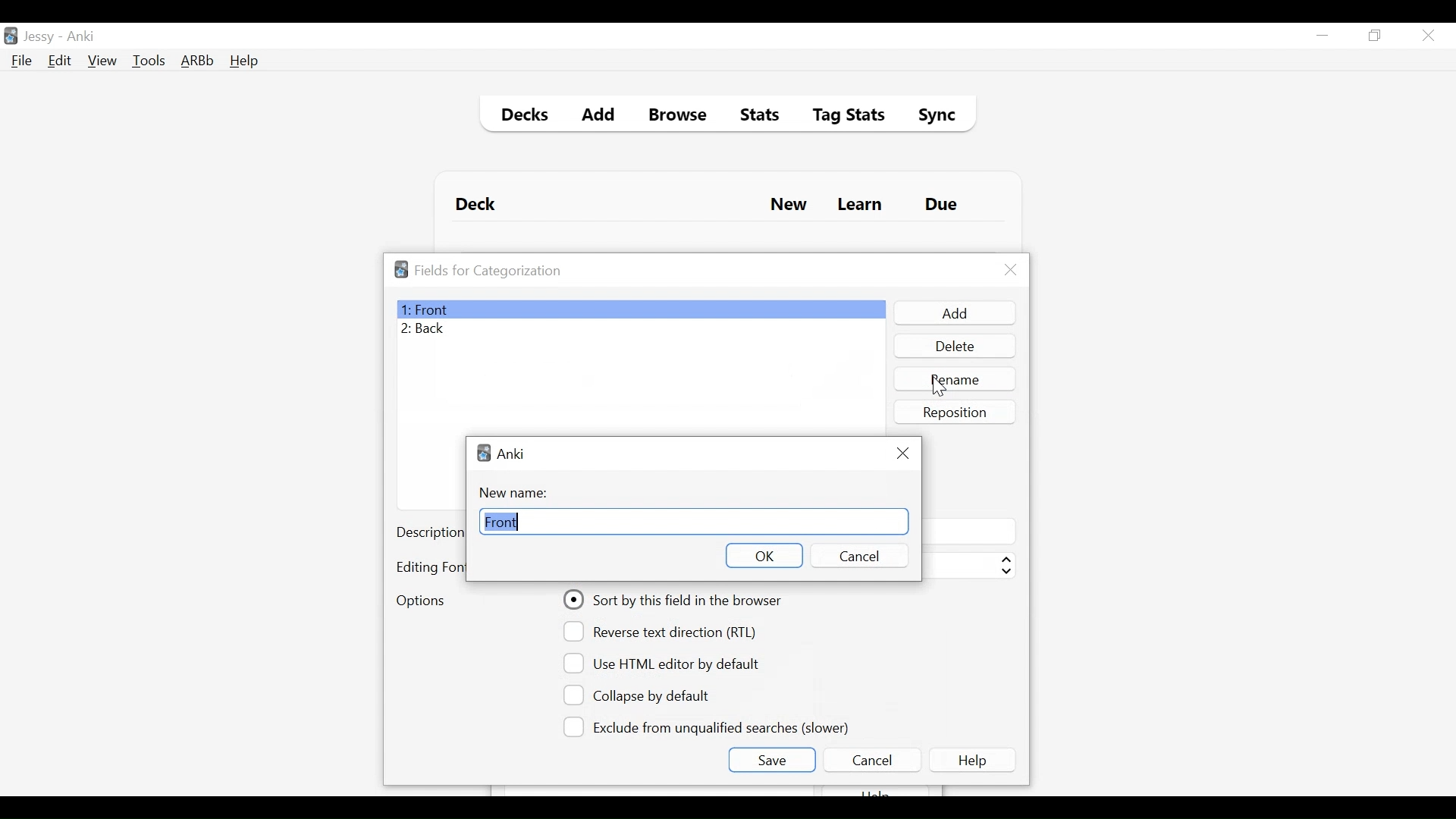  I want to click on Restore, so click(1376, 36).